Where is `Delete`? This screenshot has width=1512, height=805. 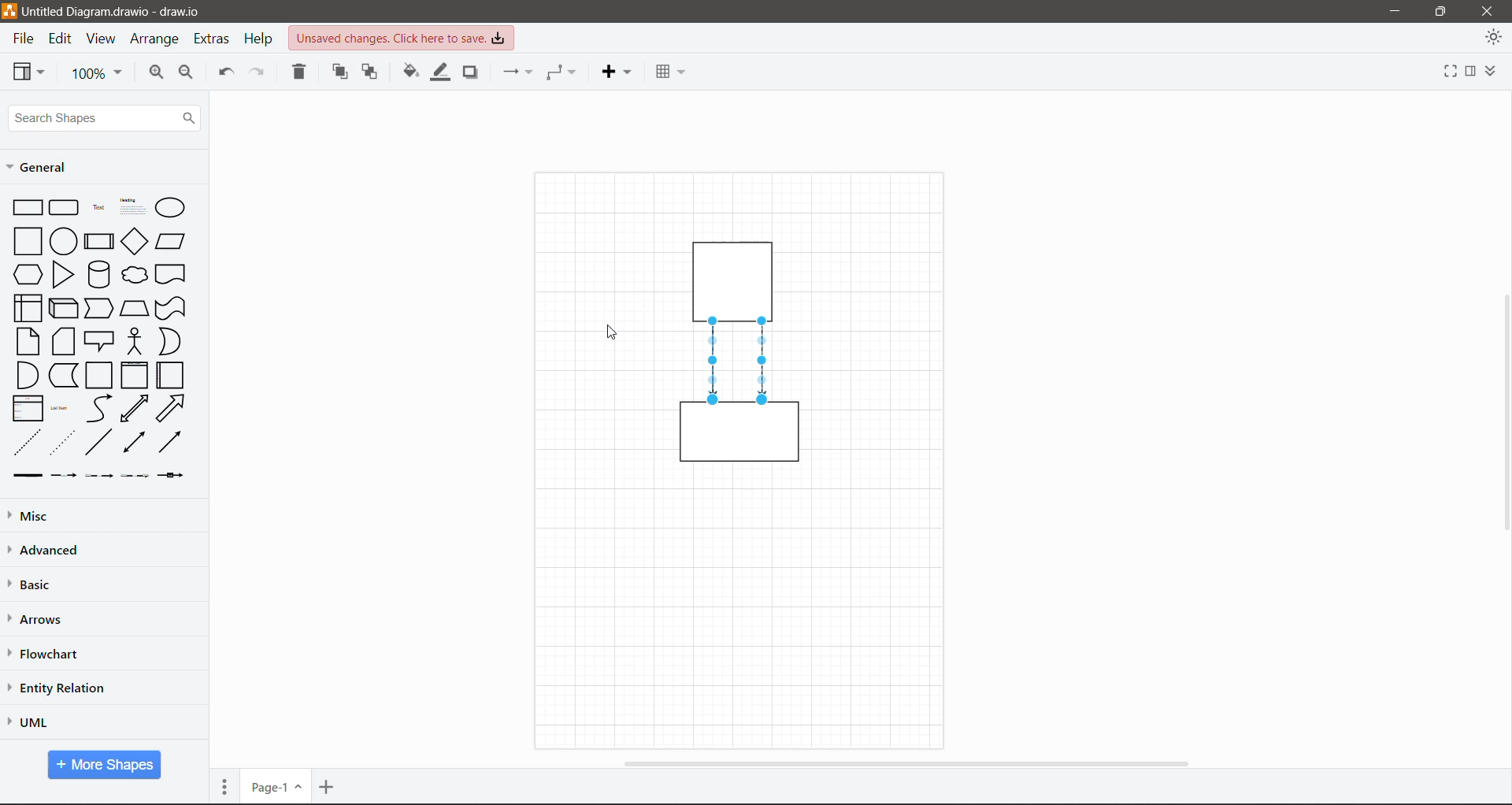 Delete is located at coordinates (301, 73).